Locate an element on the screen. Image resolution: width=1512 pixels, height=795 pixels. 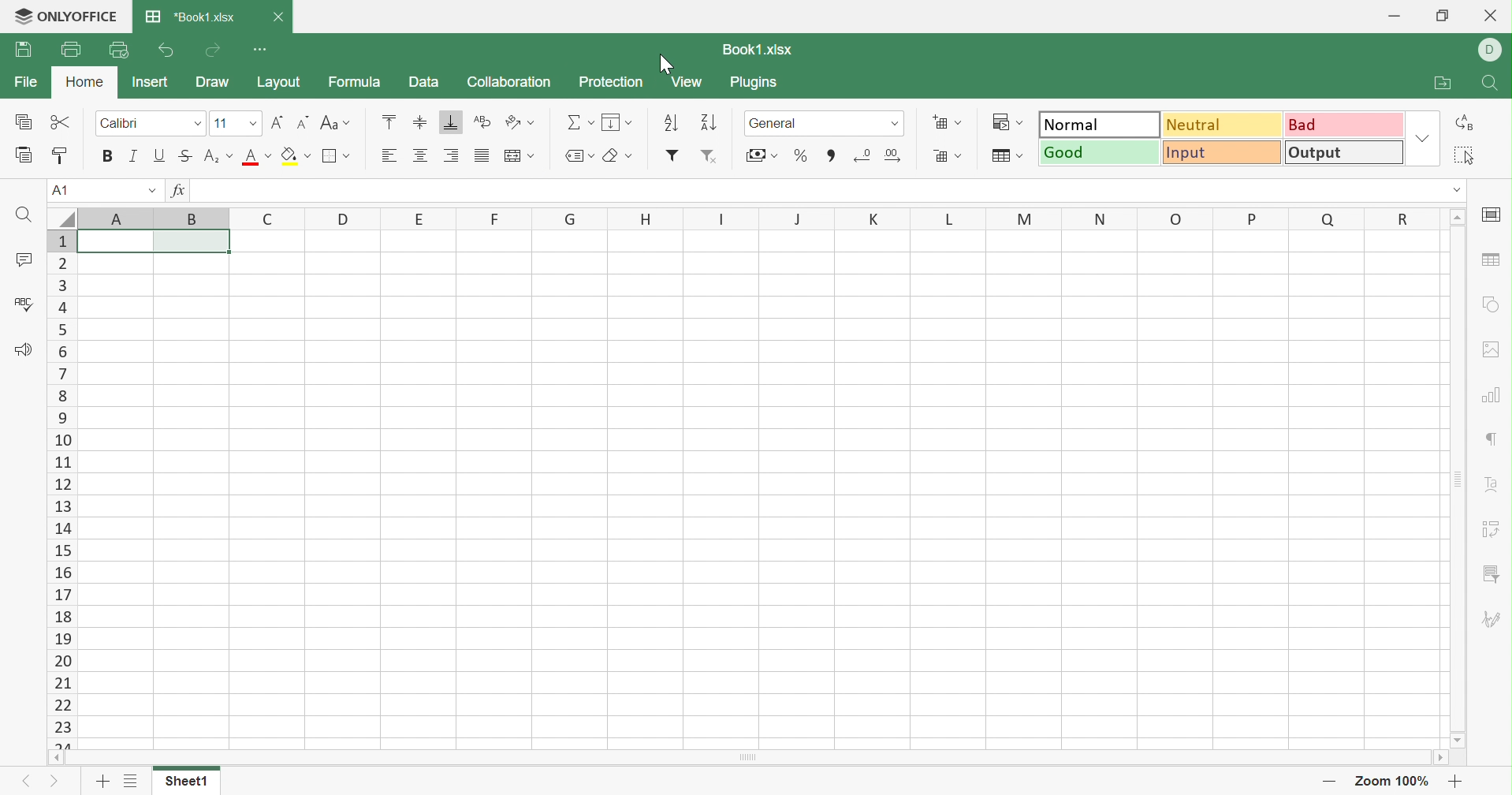
ONLYOFFICE is located at coordinates (64, 19).